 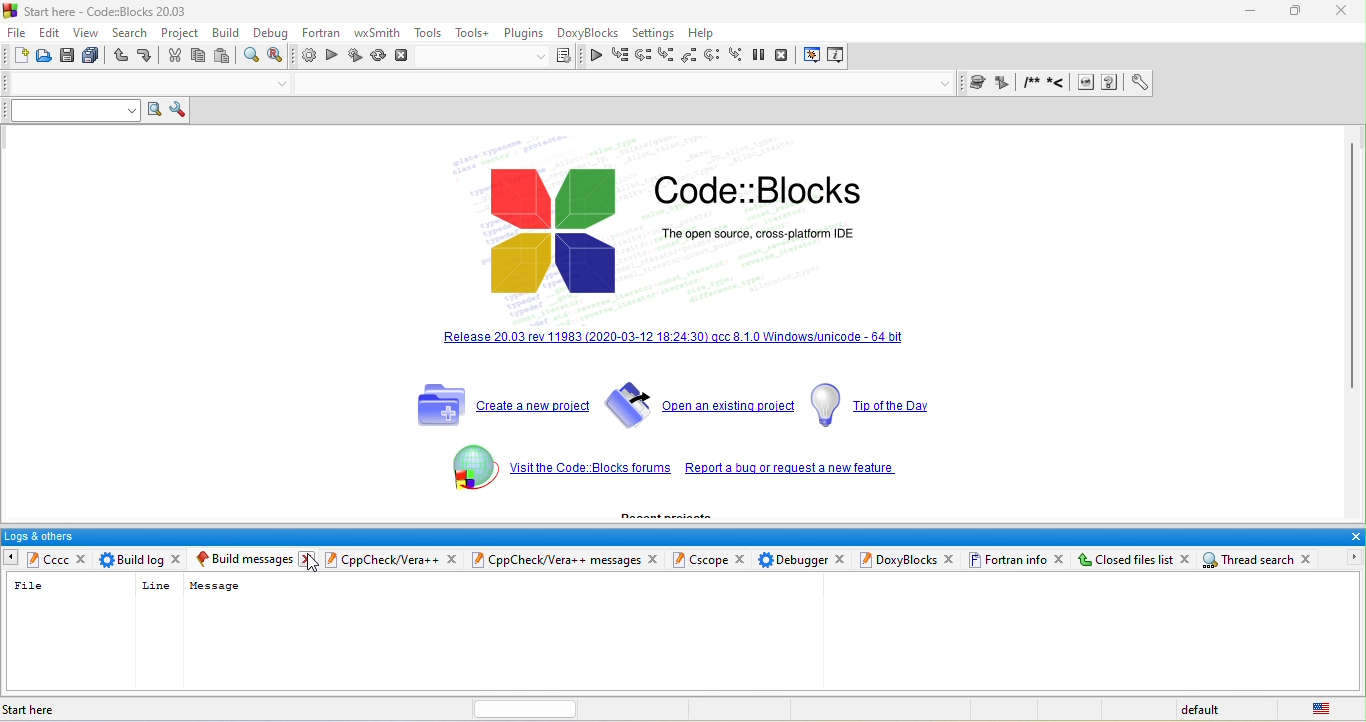 I want to click on tip of the day, so click(x=870, y=404).